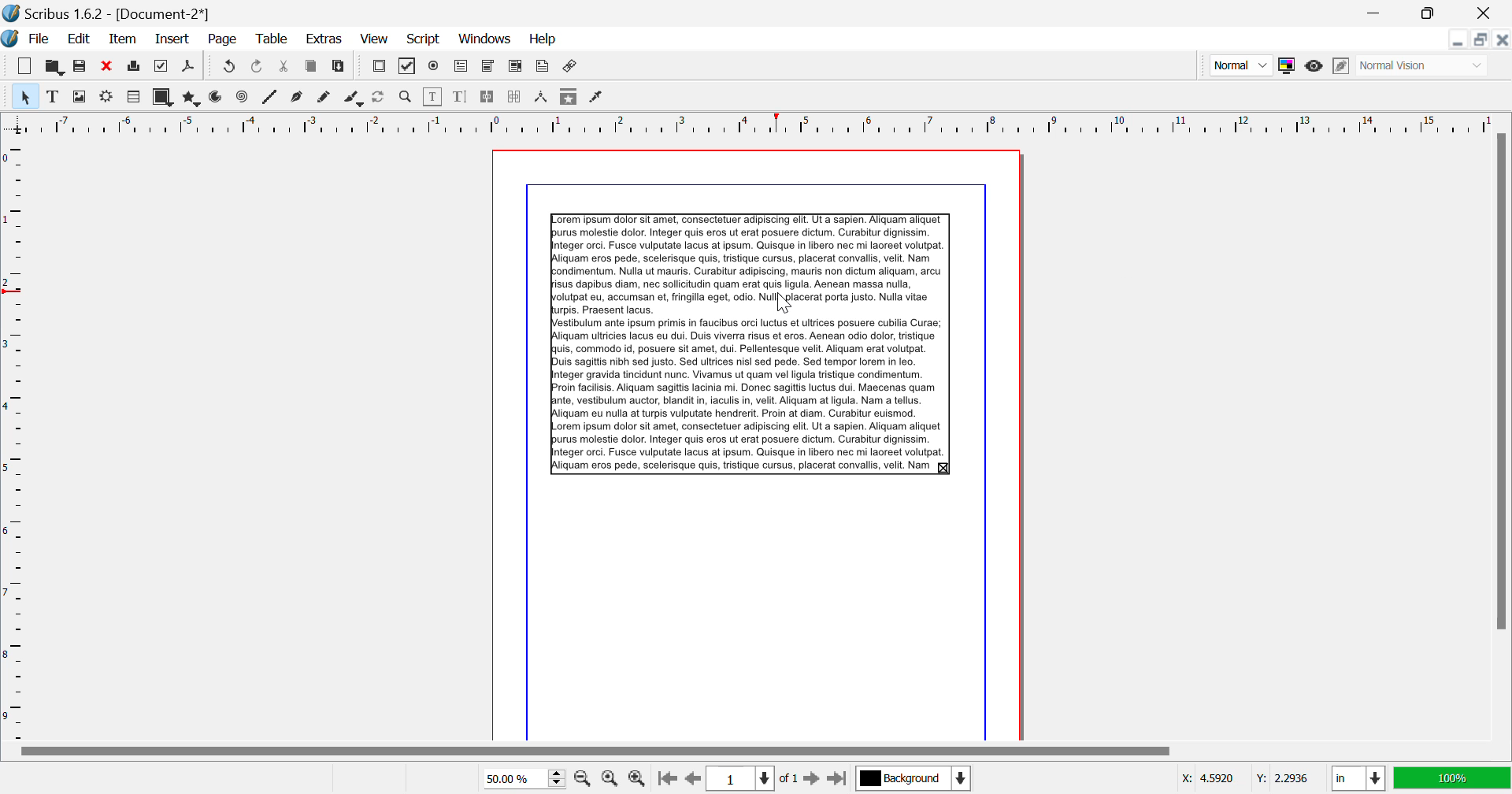  I want to click on View, so click(373, 39).